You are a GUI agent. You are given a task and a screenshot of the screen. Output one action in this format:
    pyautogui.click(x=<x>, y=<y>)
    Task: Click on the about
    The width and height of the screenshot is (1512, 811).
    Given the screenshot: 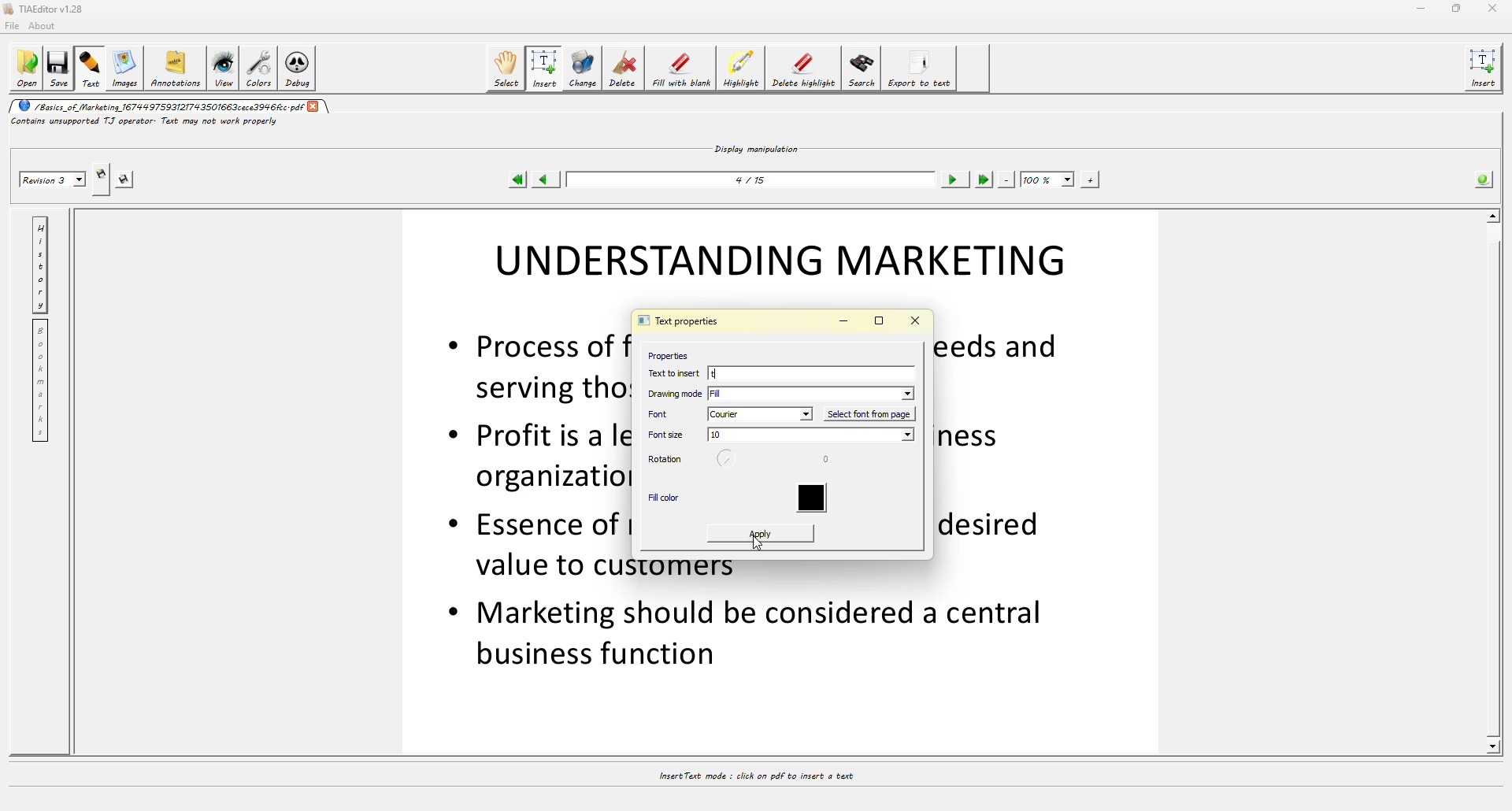 What is the action you would take?
    pyautogui.click(x=46, y=26)
    